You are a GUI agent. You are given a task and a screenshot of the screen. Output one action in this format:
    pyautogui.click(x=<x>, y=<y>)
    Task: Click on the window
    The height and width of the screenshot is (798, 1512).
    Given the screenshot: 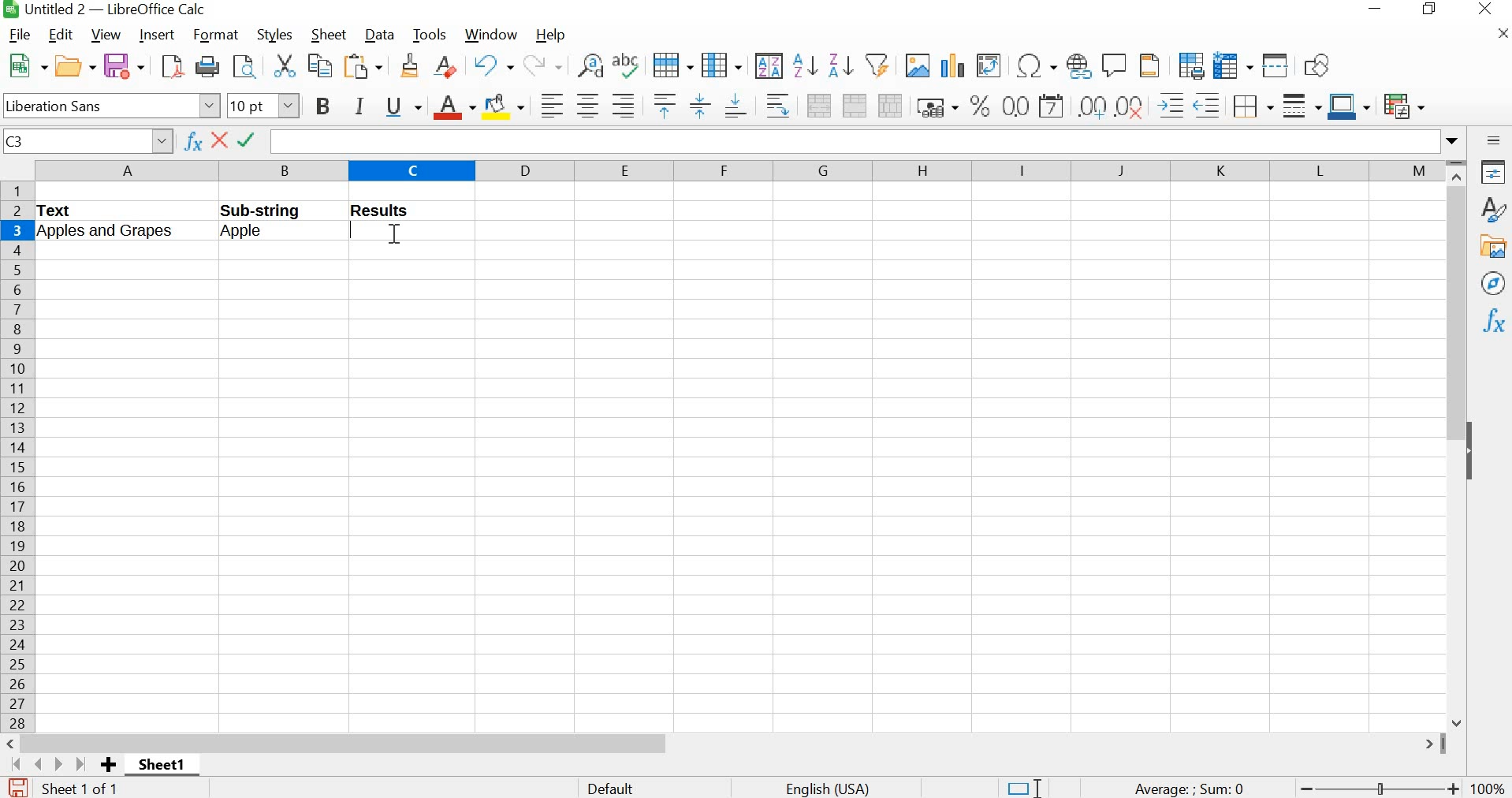 What is the action you would take?
    pyautogui.click(x=493, y=35)
    